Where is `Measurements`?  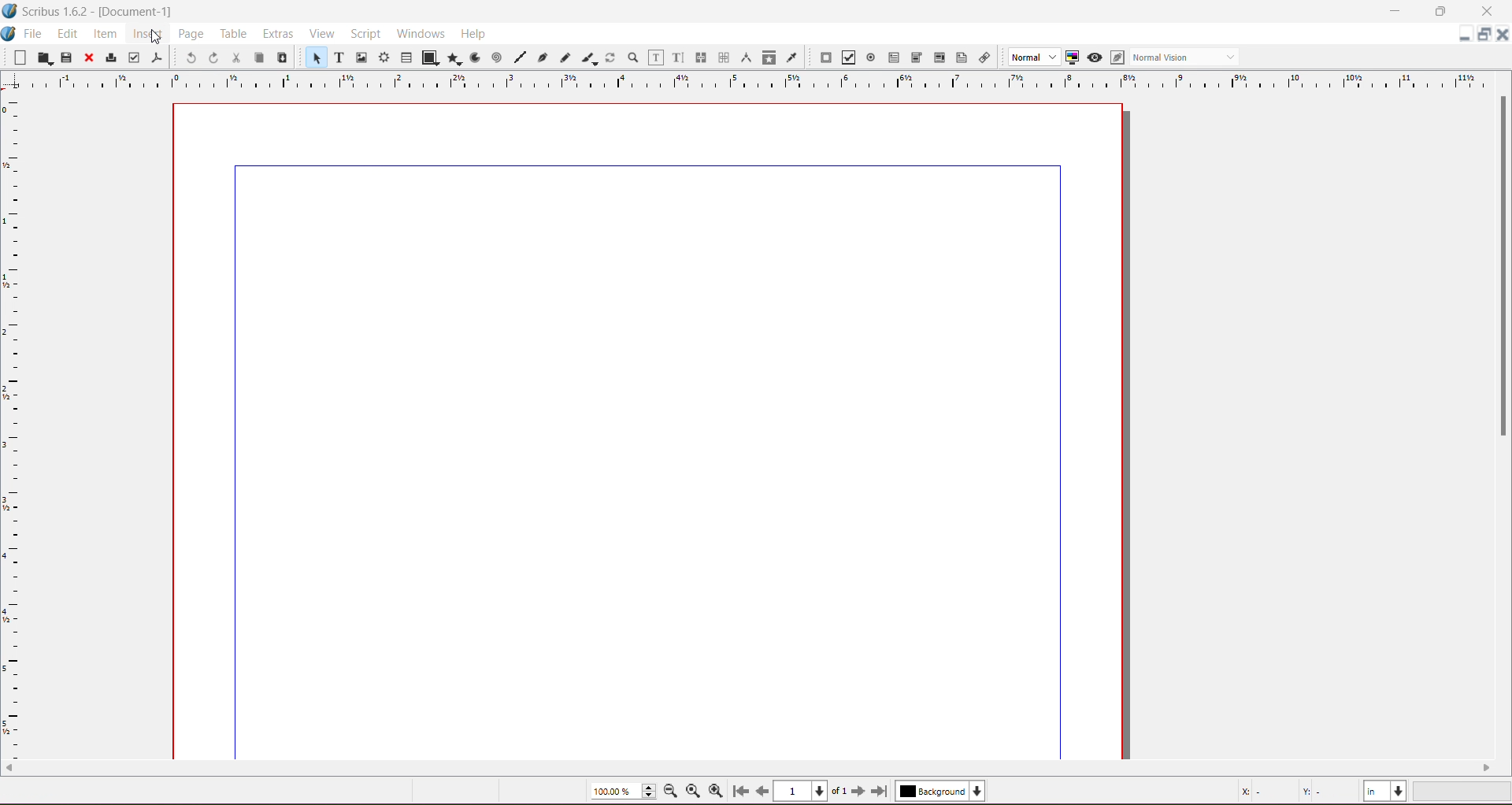 Measurements is located at coordinates (747, 57).